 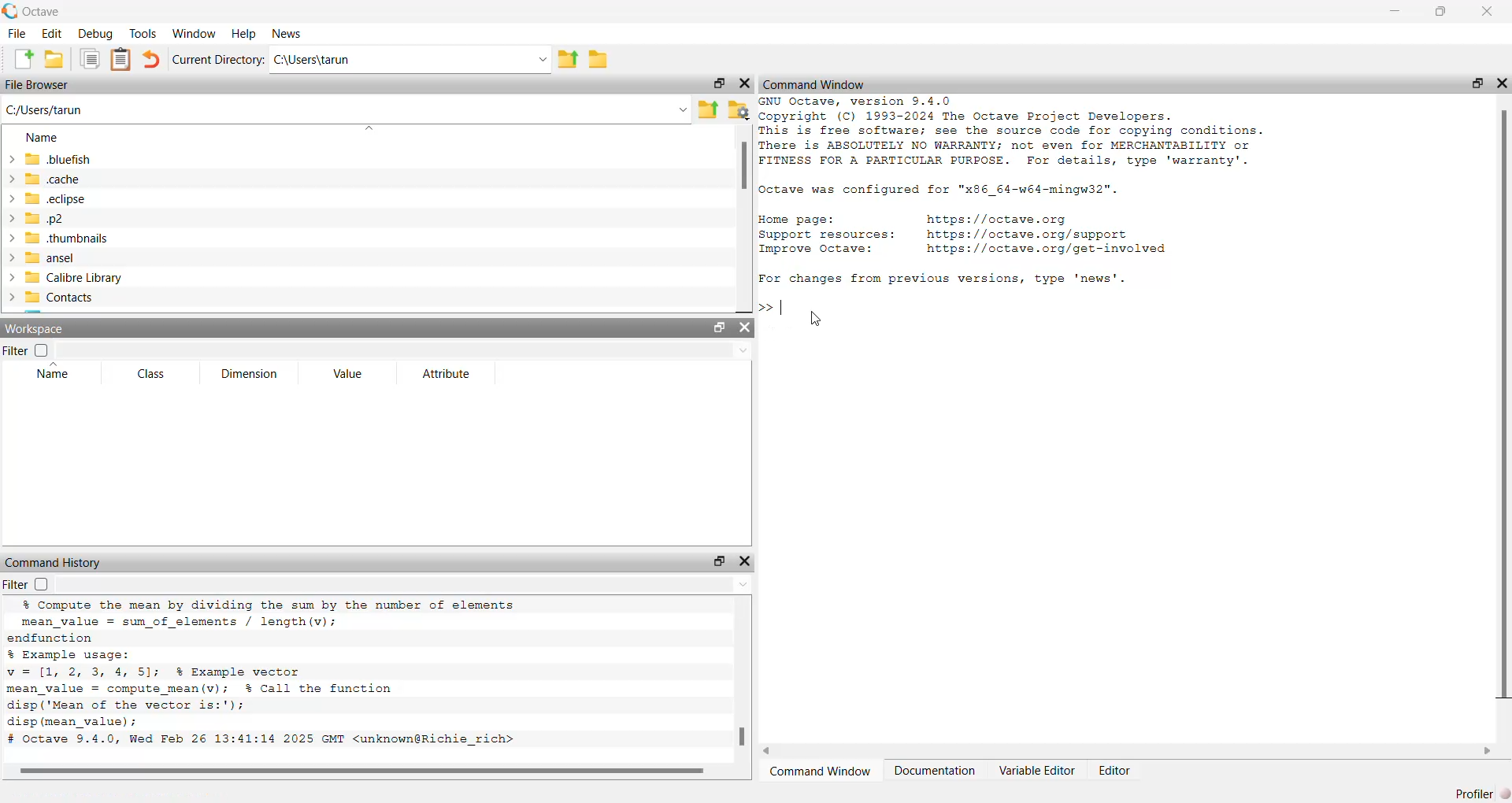 I want to click on Home page: https://octave.org
Support resources: https: //octave.org/support
Improve Octave: https: //octave.org/get-involved, so click(x=966, y=236).